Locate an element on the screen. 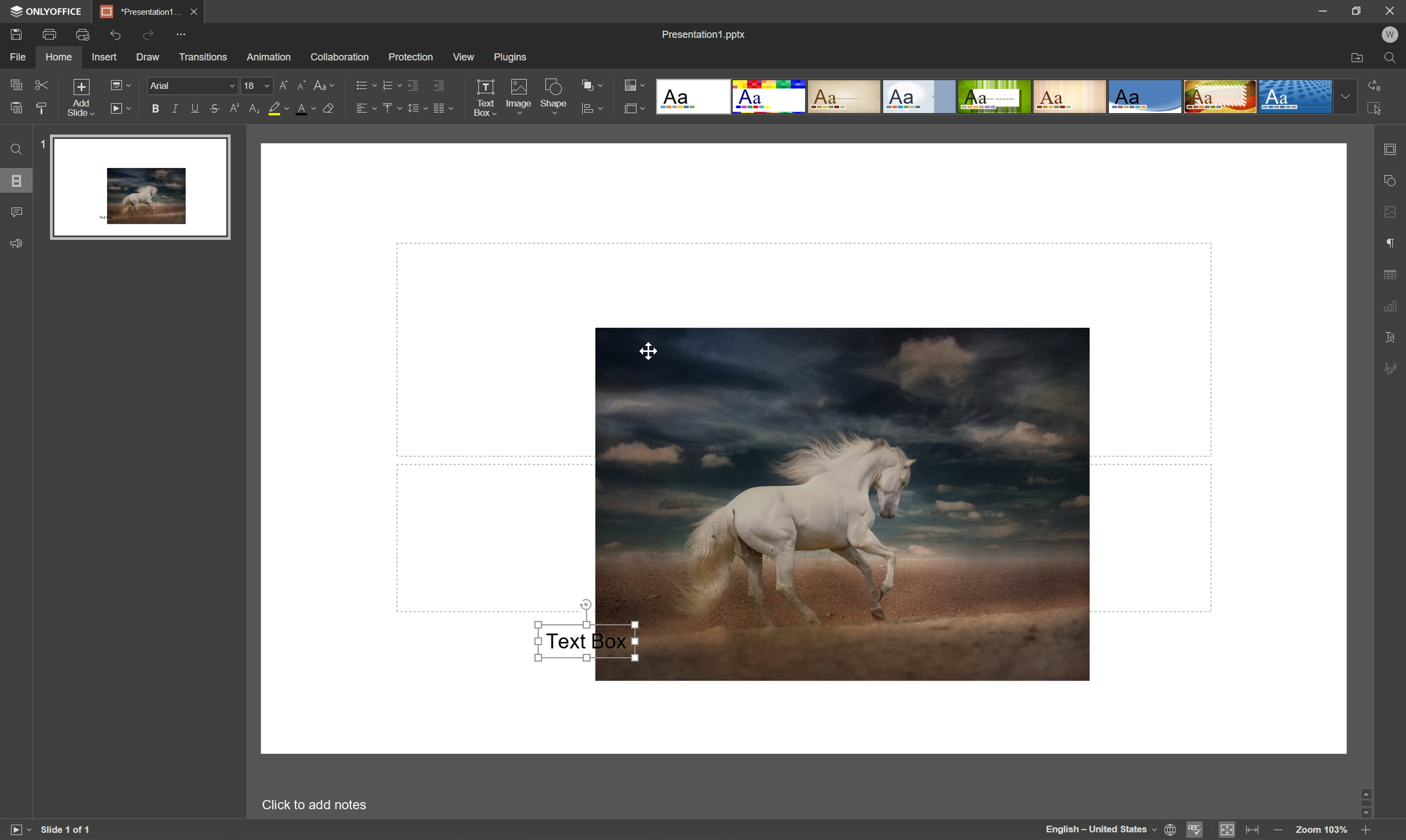  Customize quick access toolbar is located at coordinates (182, 36).